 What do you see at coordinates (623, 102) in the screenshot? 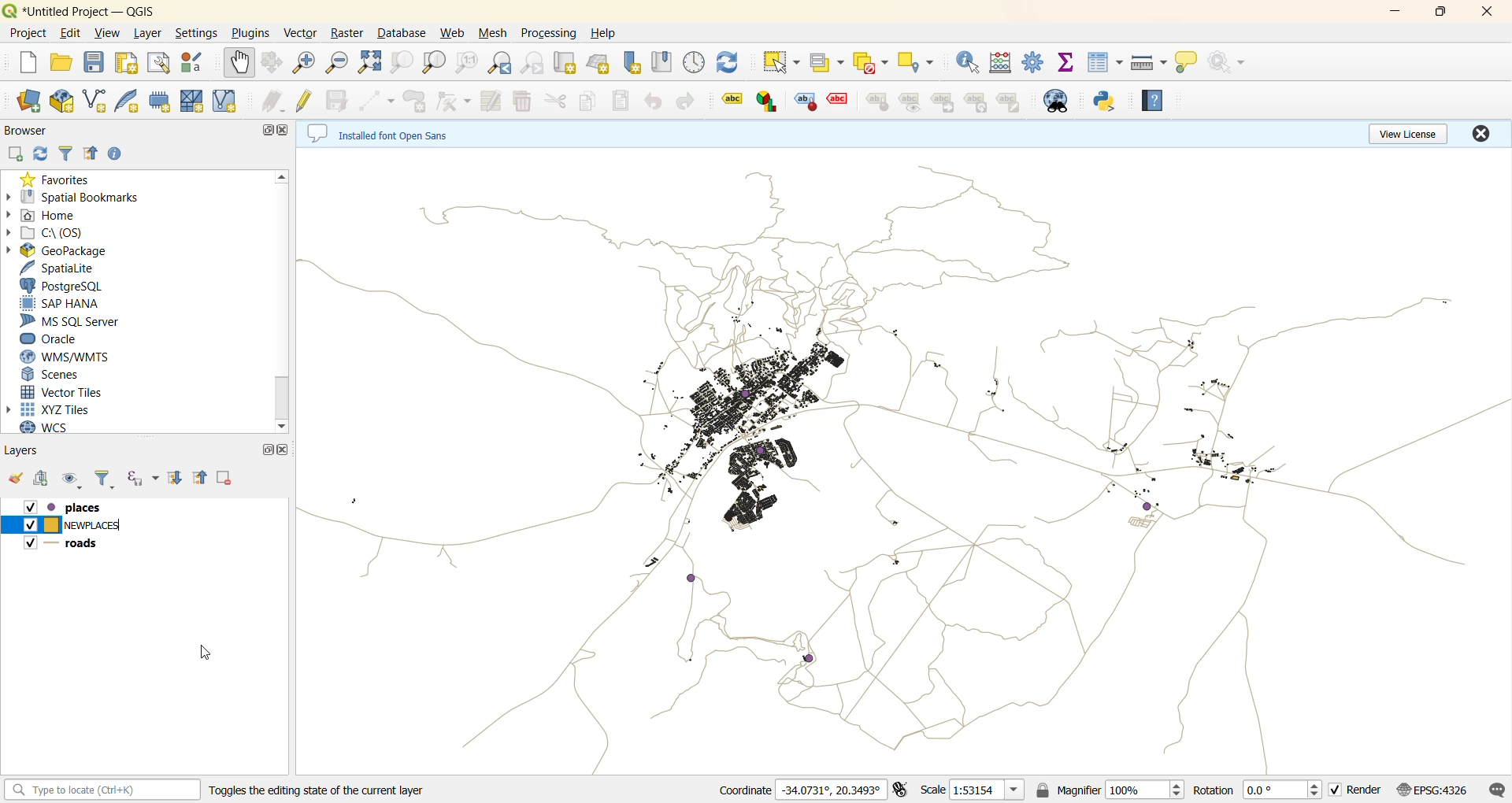
I see `paste` at bounding box center [623, 102].